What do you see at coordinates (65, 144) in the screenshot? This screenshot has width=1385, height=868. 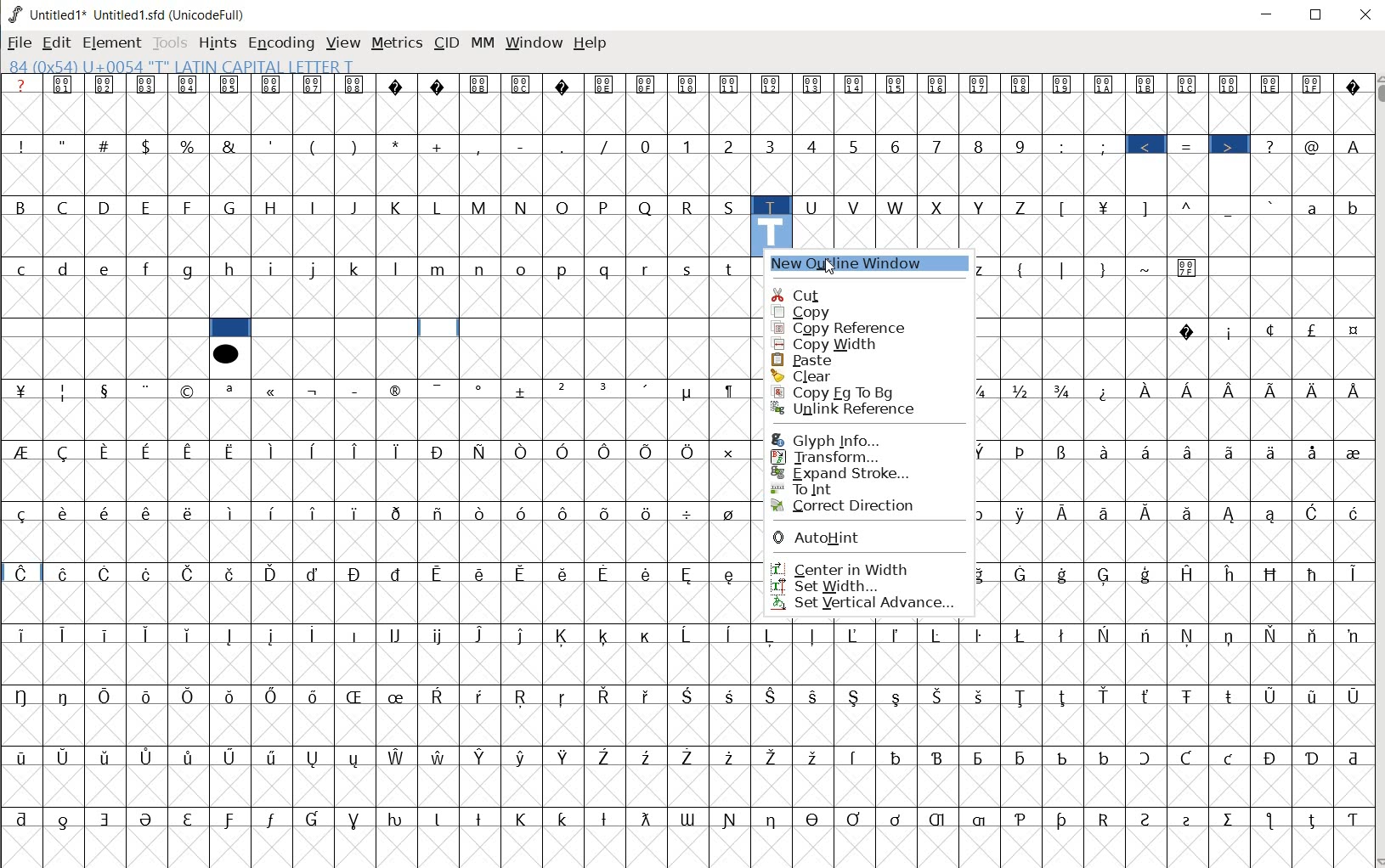 I see `"` at bounding box center [65, 144].